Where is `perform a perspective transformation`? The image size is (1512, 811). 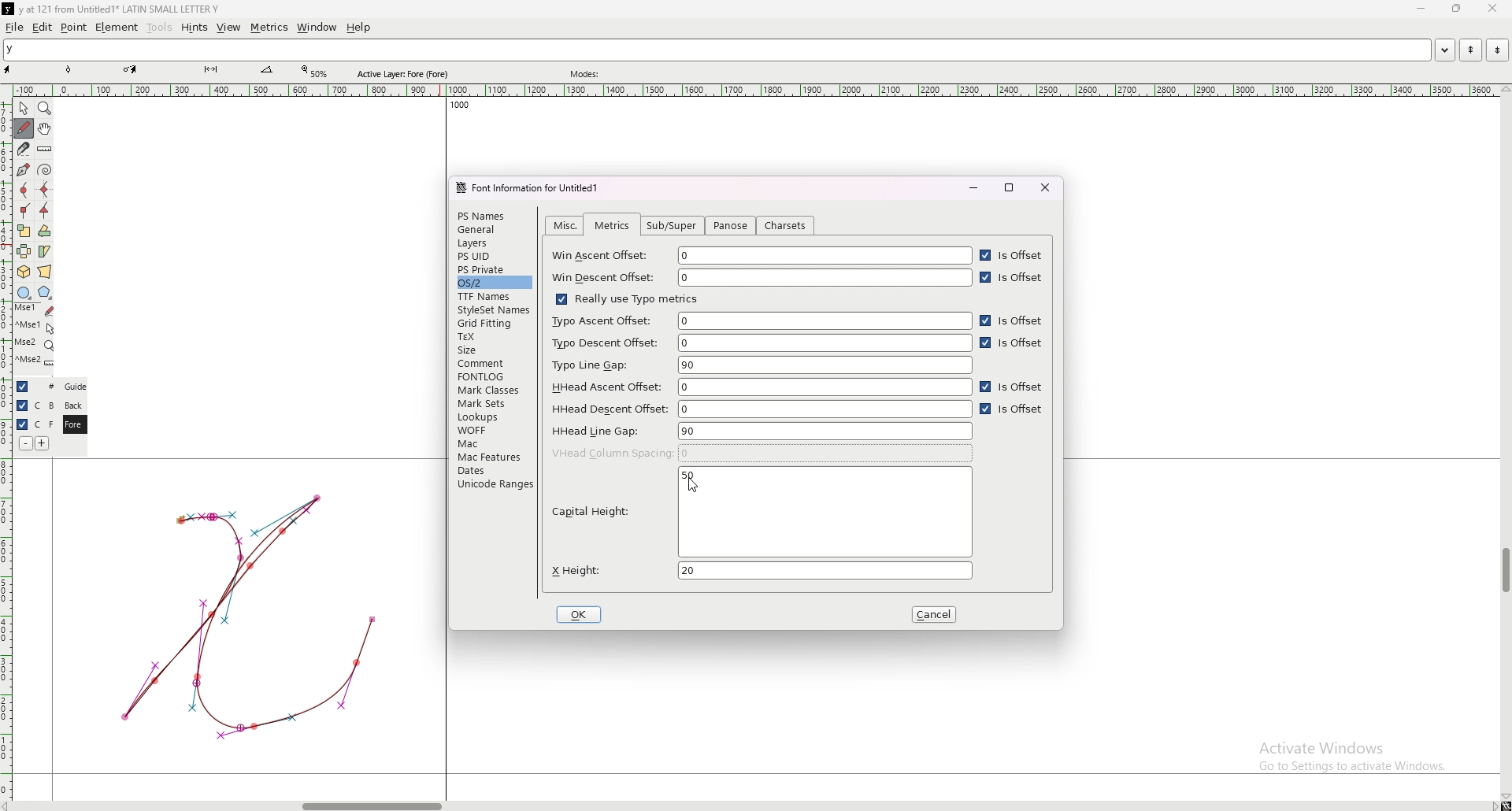
perform a perspective transformation is located at coordinates (45, 272).